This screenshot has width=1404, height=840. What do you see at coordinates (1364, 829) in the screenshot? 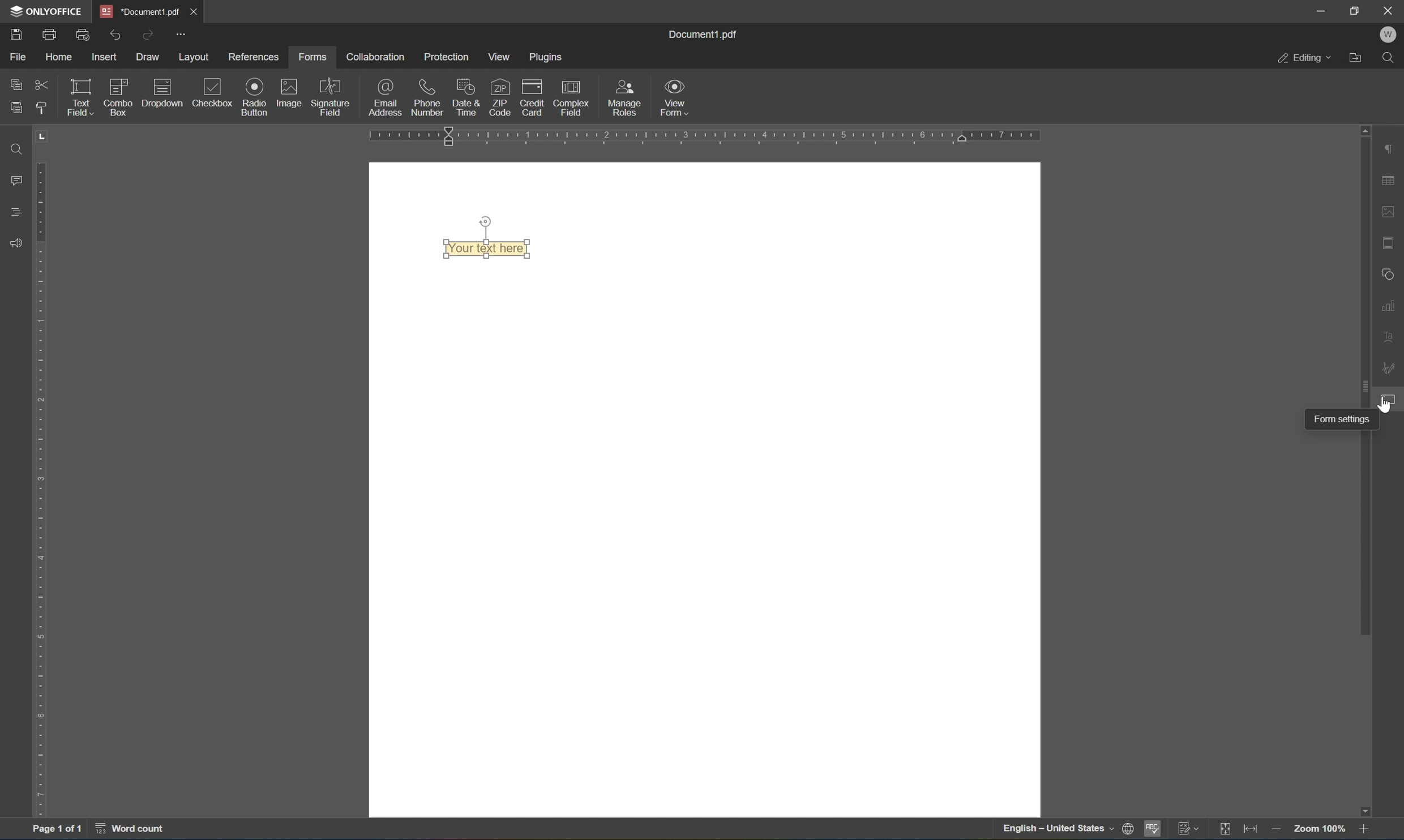
I see `zoom in` at bounding box center [1364, 829].